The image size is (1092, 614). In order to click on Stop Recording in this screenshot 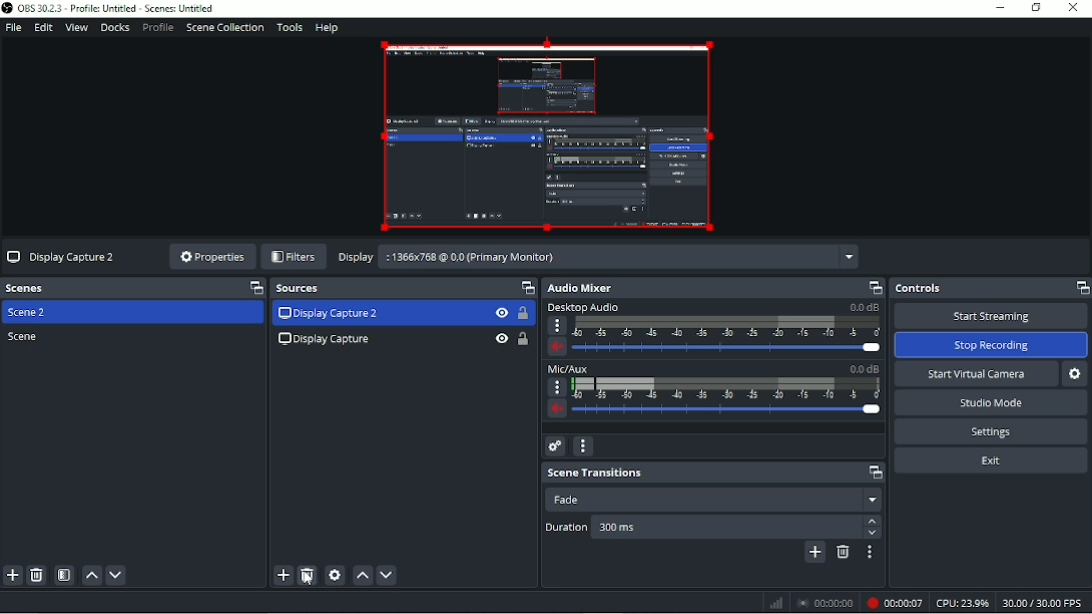, I will do `click(992, 345)`.